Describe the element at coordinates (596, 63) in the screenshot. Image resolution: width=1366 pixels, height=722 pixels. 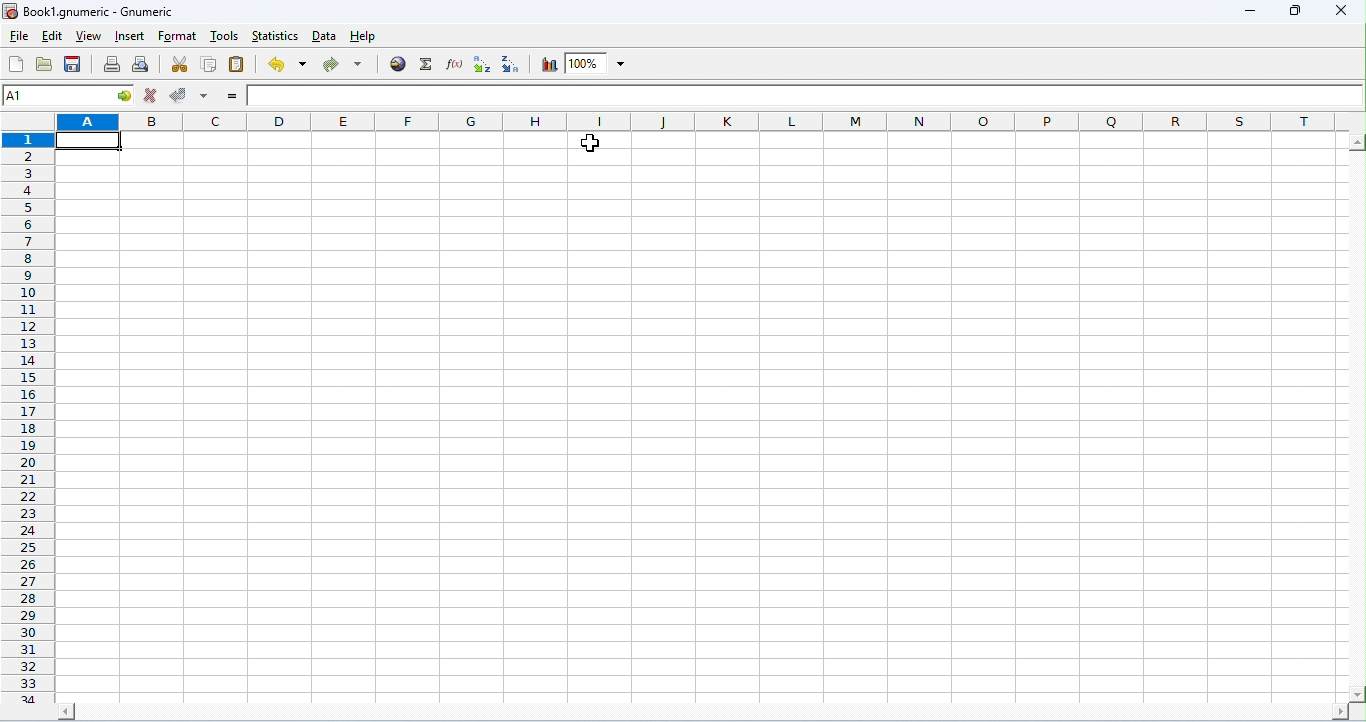
I see `100%` at that location.